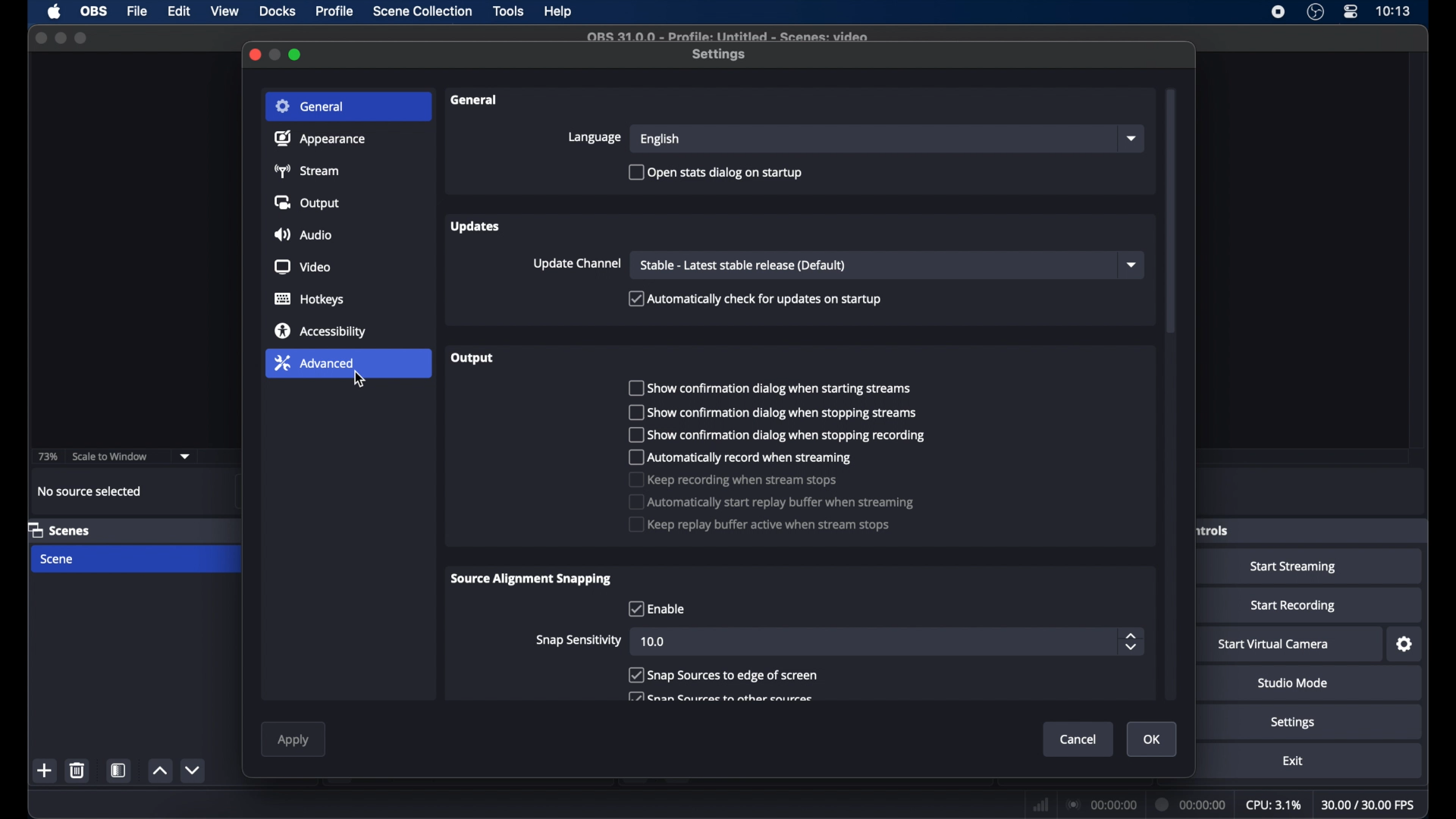 This screenshot has width=1456, height=819. Describe the element at coordinates (1406, 645) in the screenshot. I see `settings` at that location.